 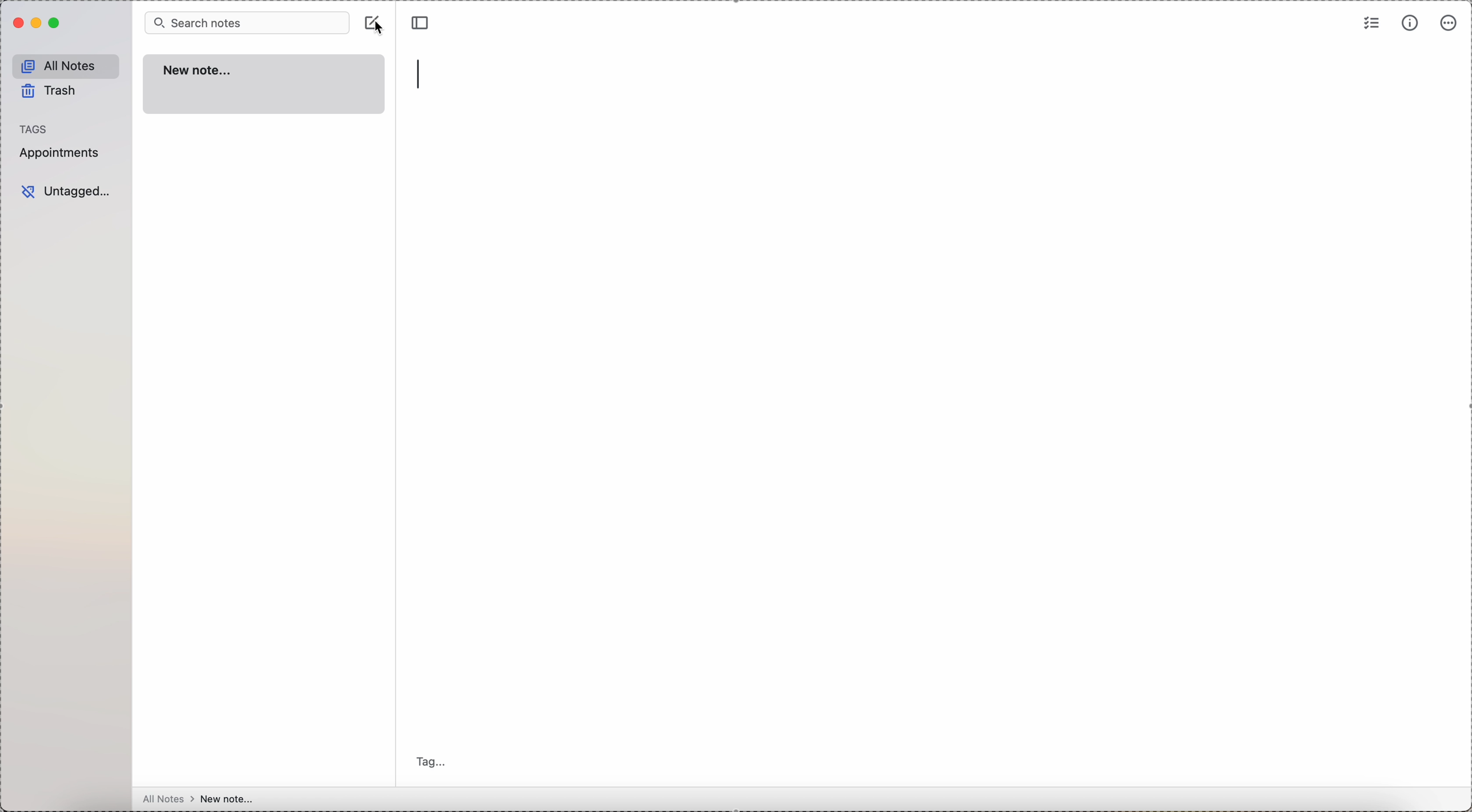 What do you see at coordinates (422, 22) in the screenshot?
I see `toggle sidebar` at bounding box center [422, 22].